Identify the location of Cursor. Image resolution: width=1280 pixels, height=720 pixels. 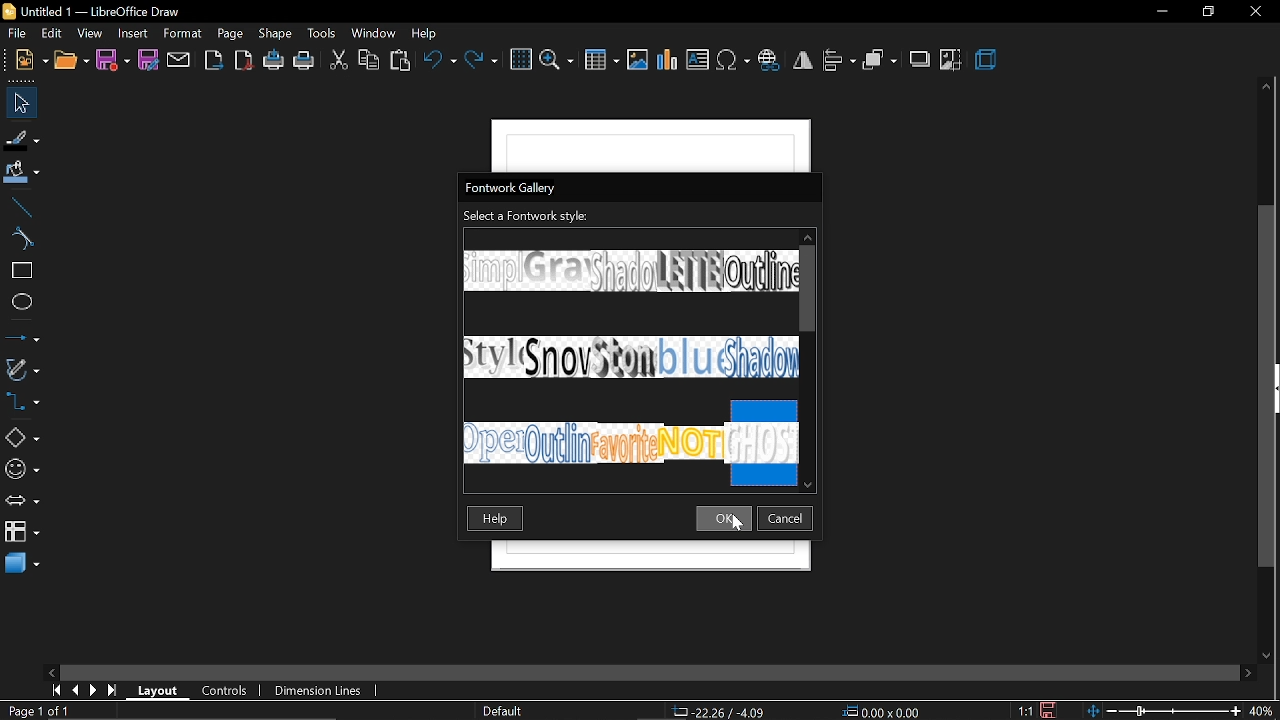
(736, 525).